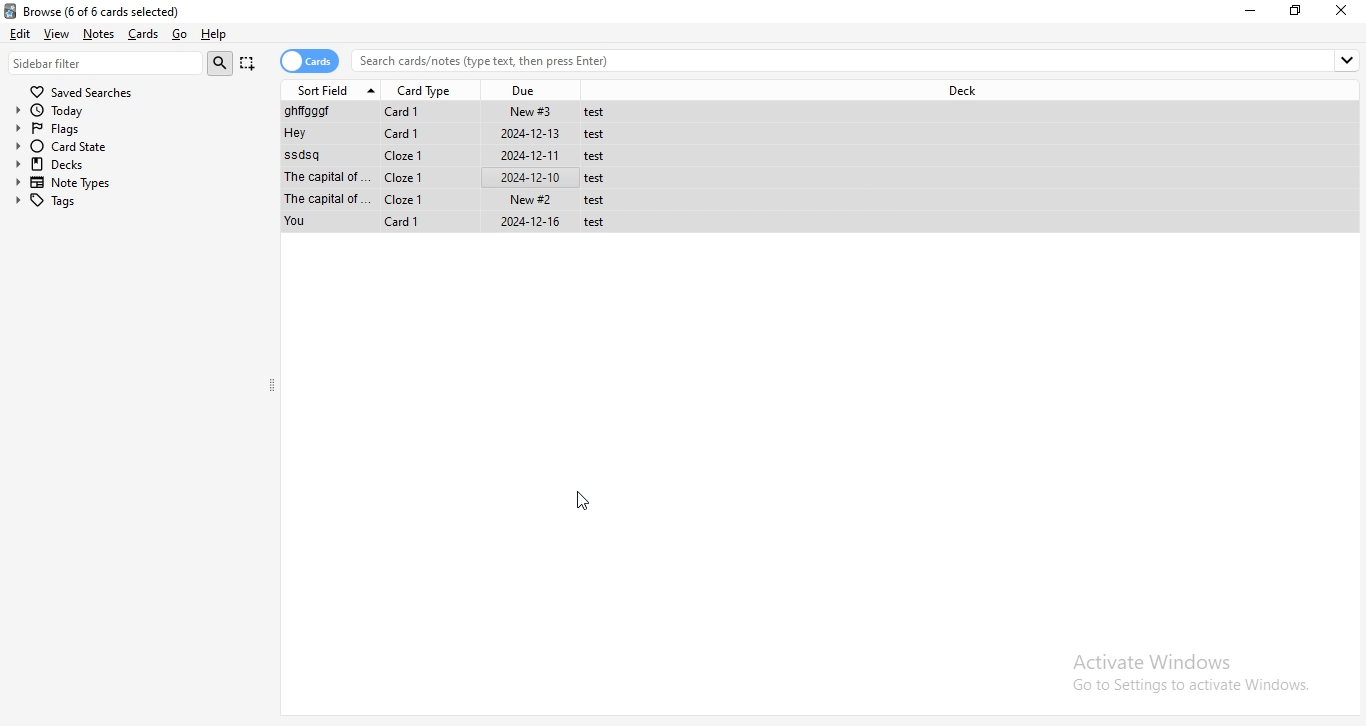 Image resolution: width=1366 pixels, height=726 pixels. Describe the element at coordinates (311, 61) in the screenshot. I see `cards` at that location.